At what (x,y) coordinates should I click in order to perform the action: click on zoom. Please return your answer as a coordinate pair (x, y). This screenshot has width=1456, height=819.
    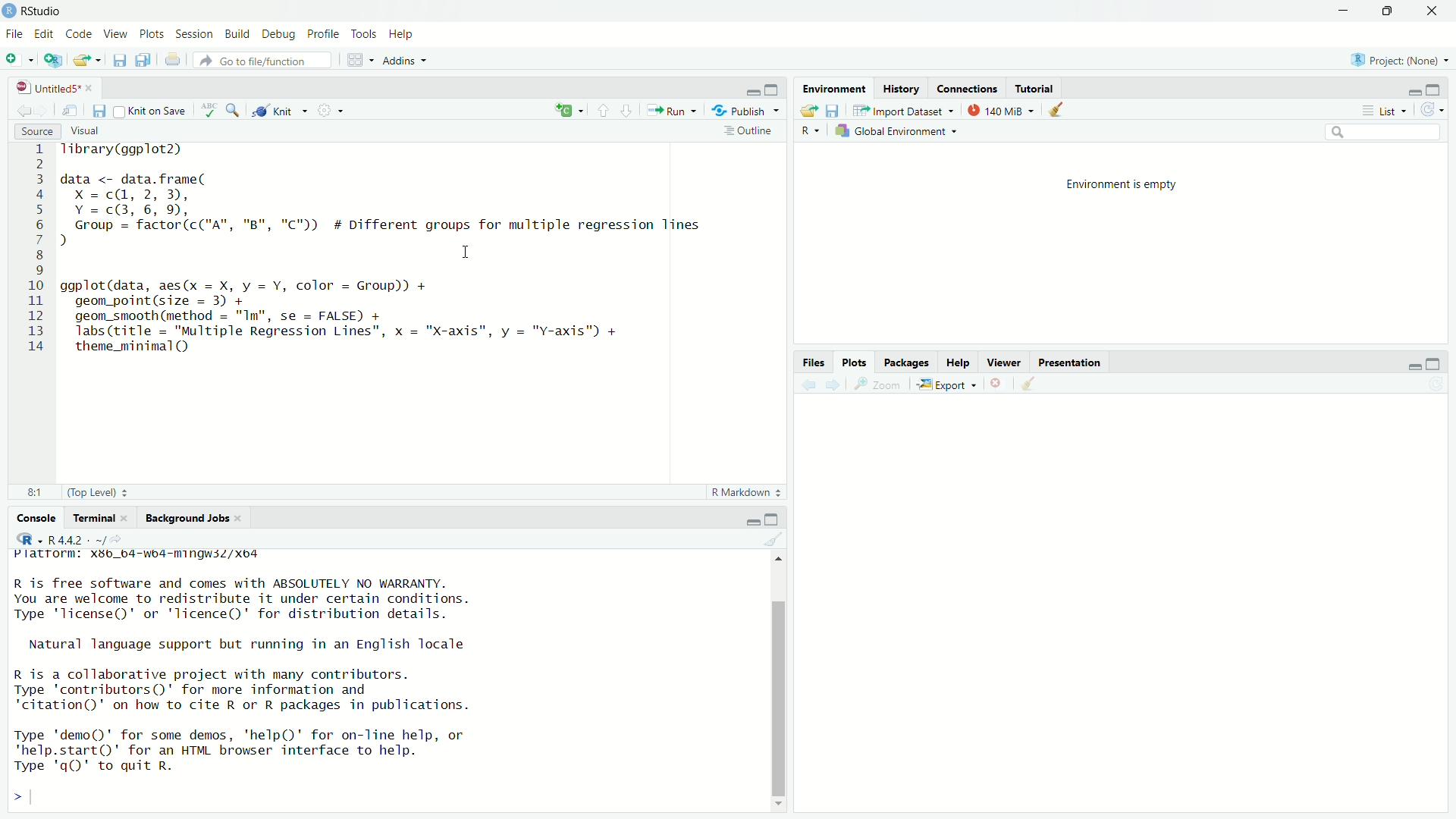
    Looking at the image, I should click on (877, 387).